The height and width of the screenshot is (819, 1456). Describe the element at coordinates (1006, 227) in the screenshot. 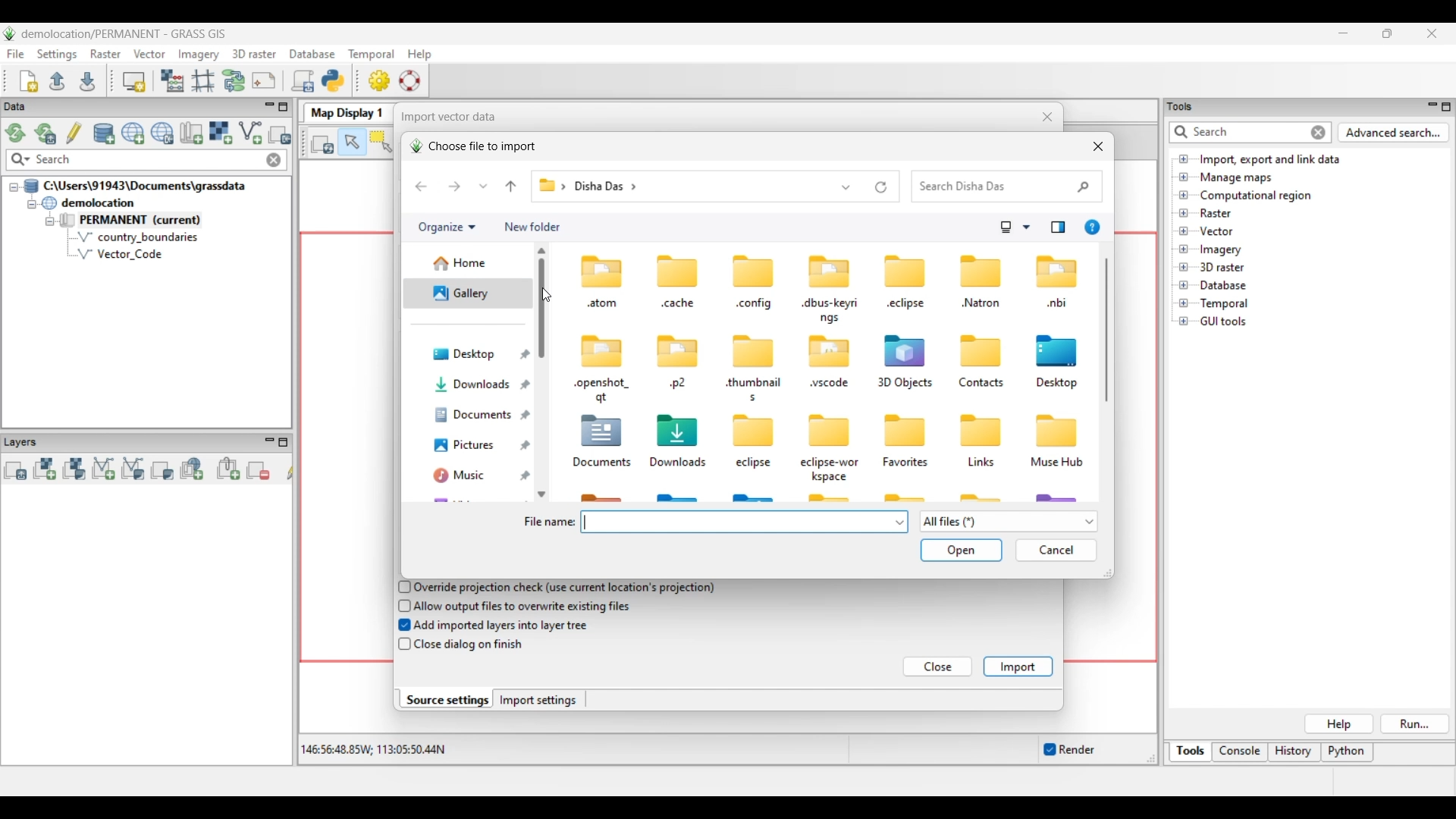

I see `Selected change view` at that location.